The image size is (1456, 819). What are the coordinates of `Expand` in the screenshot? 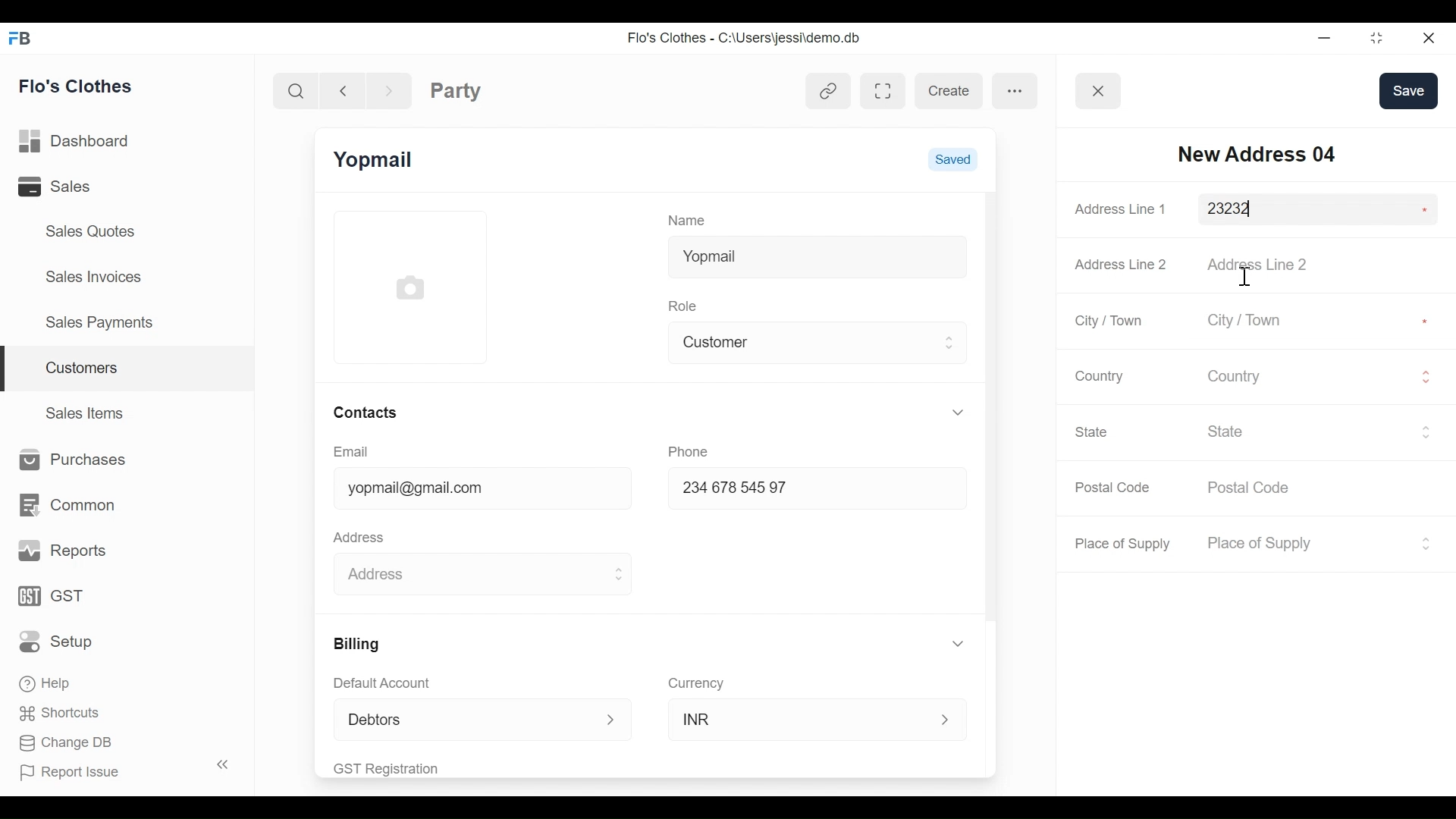 It's located at (951, 342).